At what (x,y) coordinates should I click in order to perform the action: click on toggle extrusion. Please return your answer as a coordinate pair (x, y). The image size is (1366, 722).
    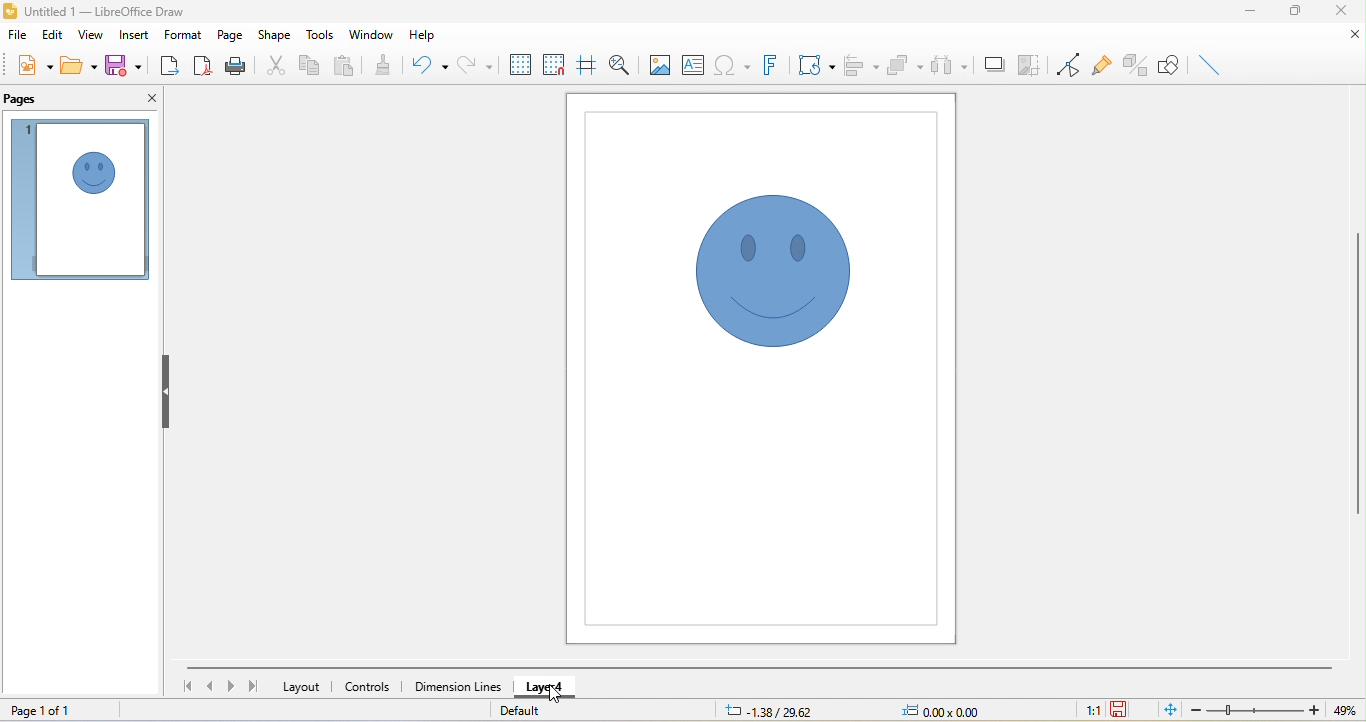
    Looking at the image, I should click on (1135, 65).